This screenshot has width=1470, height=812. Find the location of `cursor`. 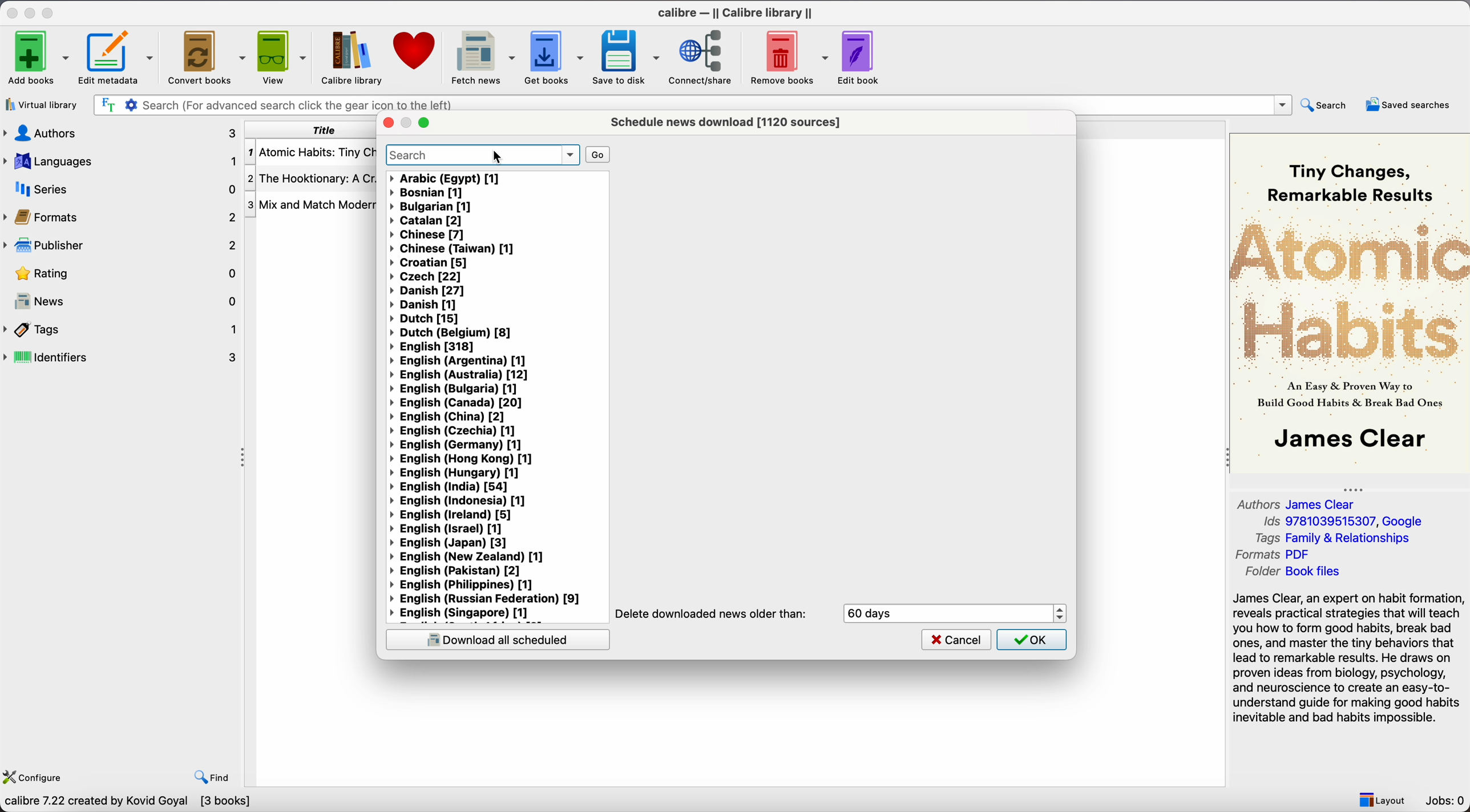

cursor is located at coordinates (496, 156).